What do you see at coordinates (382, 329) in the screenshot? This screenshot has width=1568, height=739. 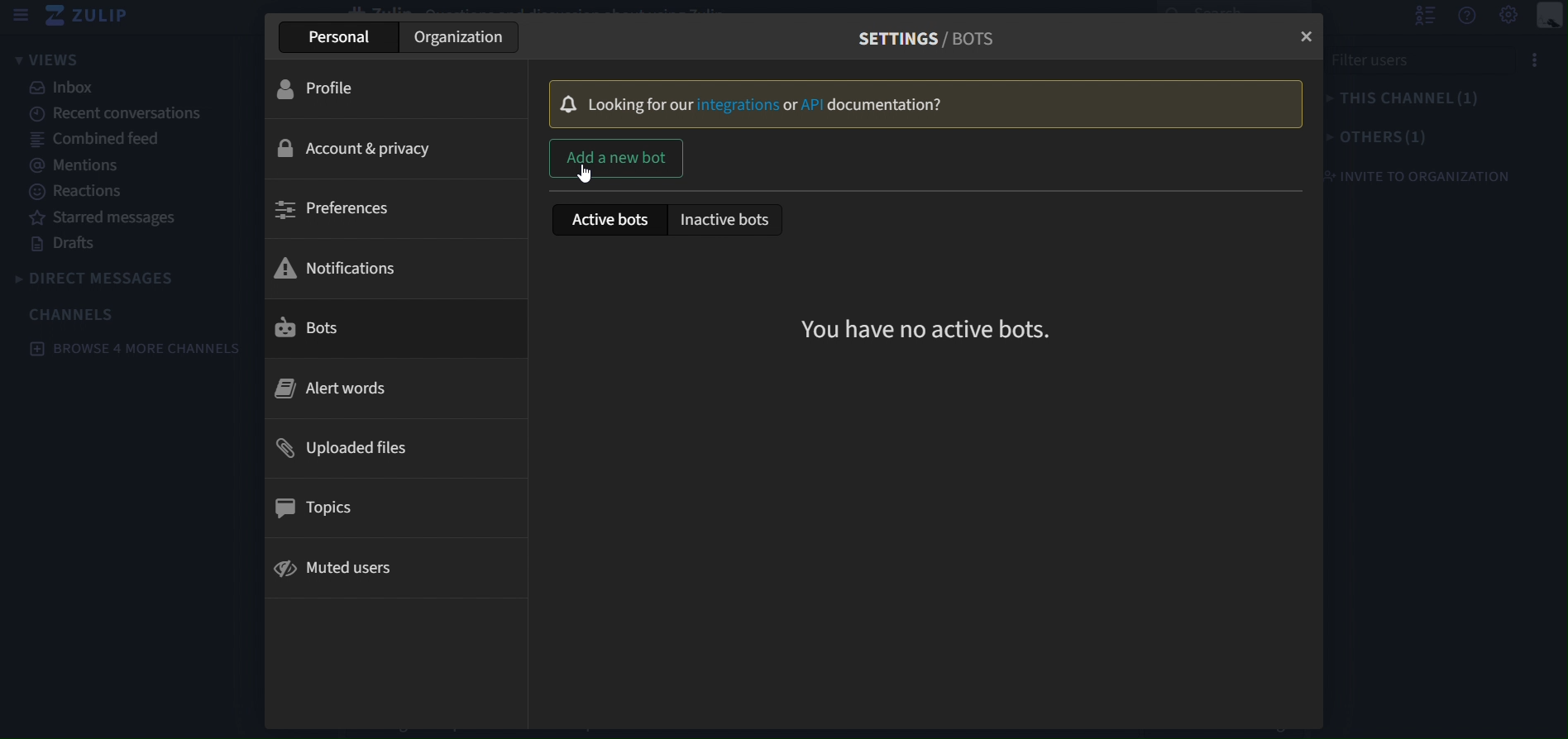 I see `bots` at bounding box center [382, 329].